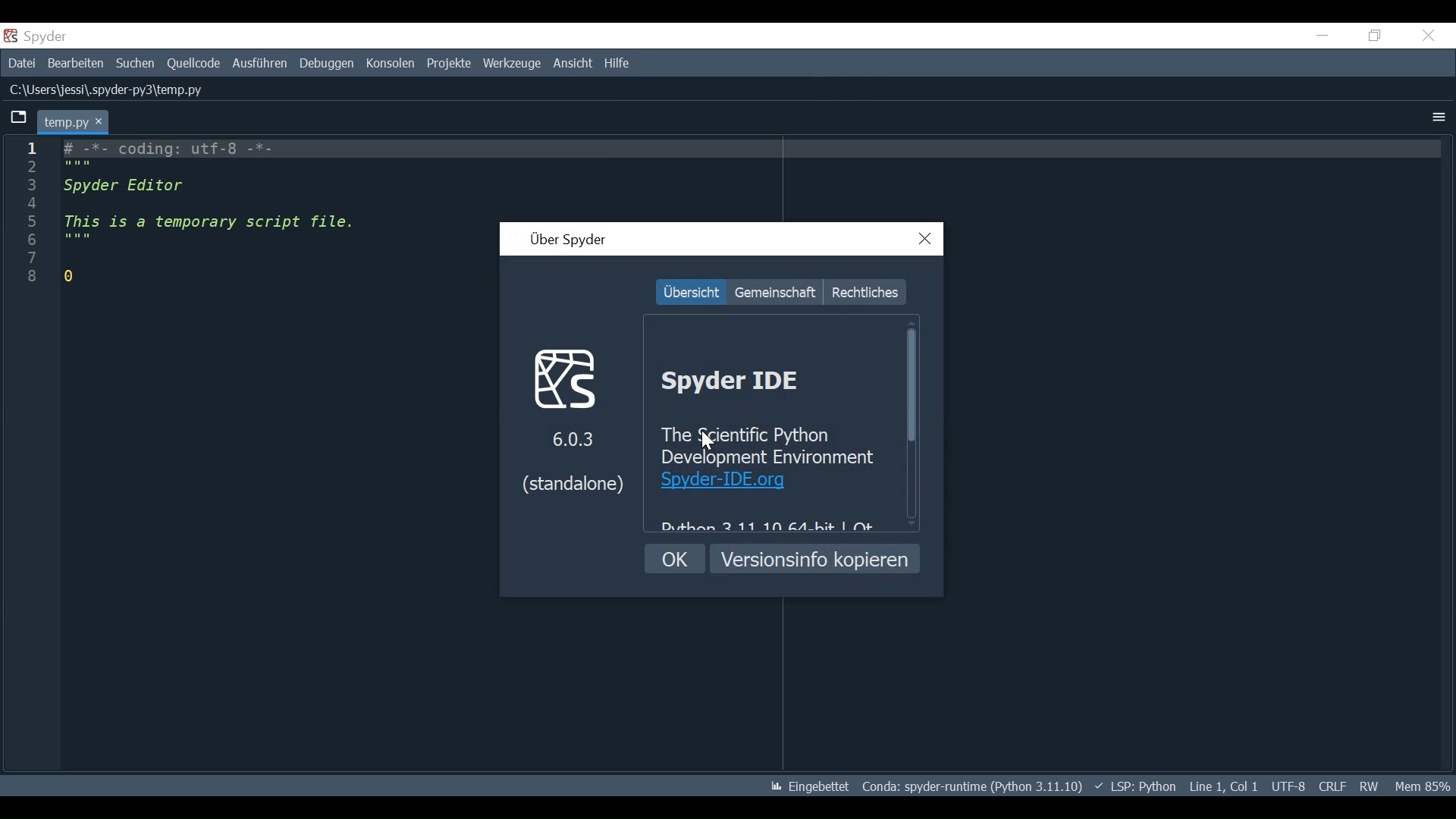 This screenshot has height=819, width=1456. What do you see at coordinates (566, 238) in the screenshot?
I see `About Spyder` at bounding box center [566, 238].